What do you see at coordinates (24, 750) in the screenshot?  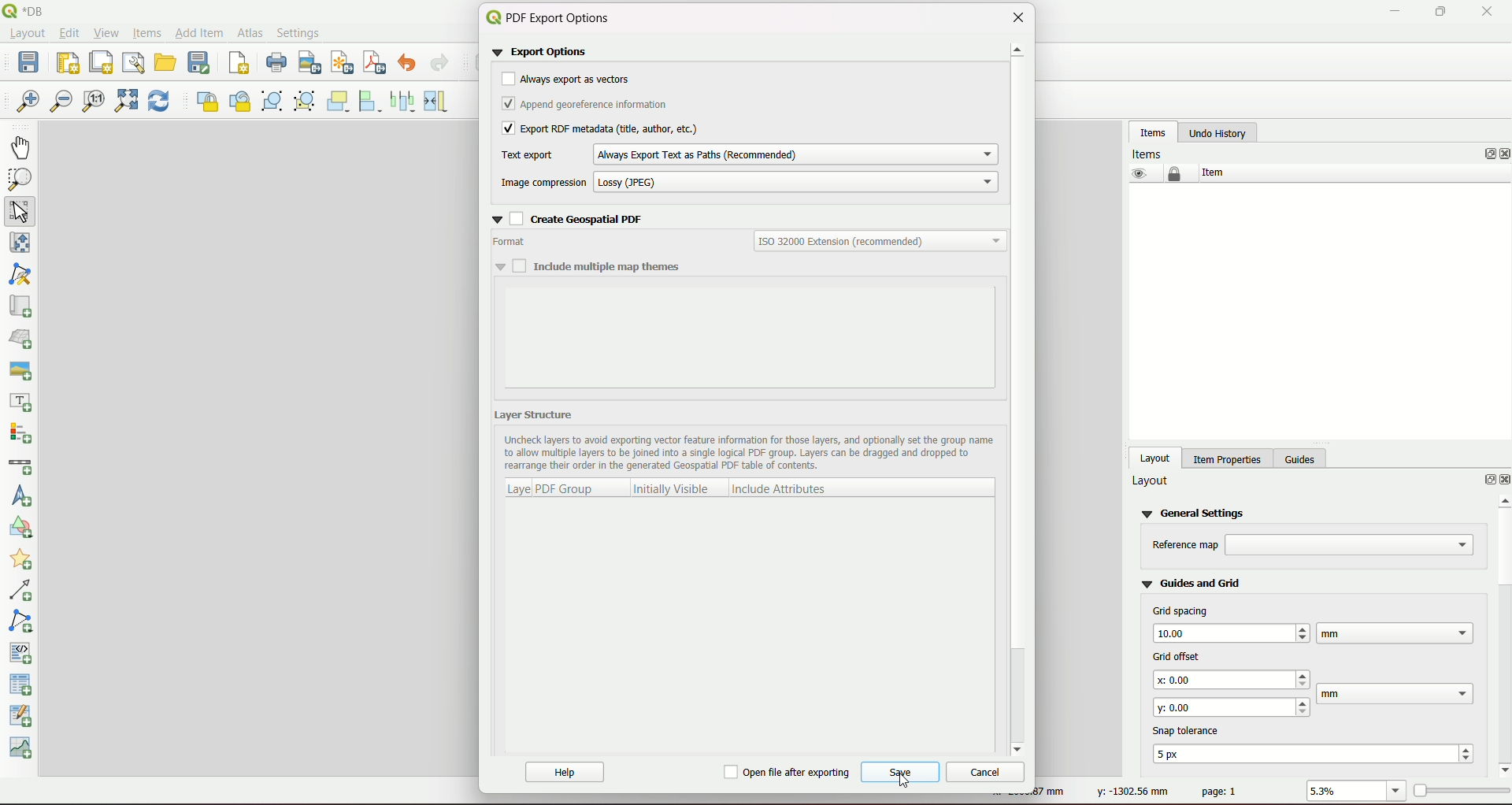 I see `elevation profile` at bounding box center [24, 750].